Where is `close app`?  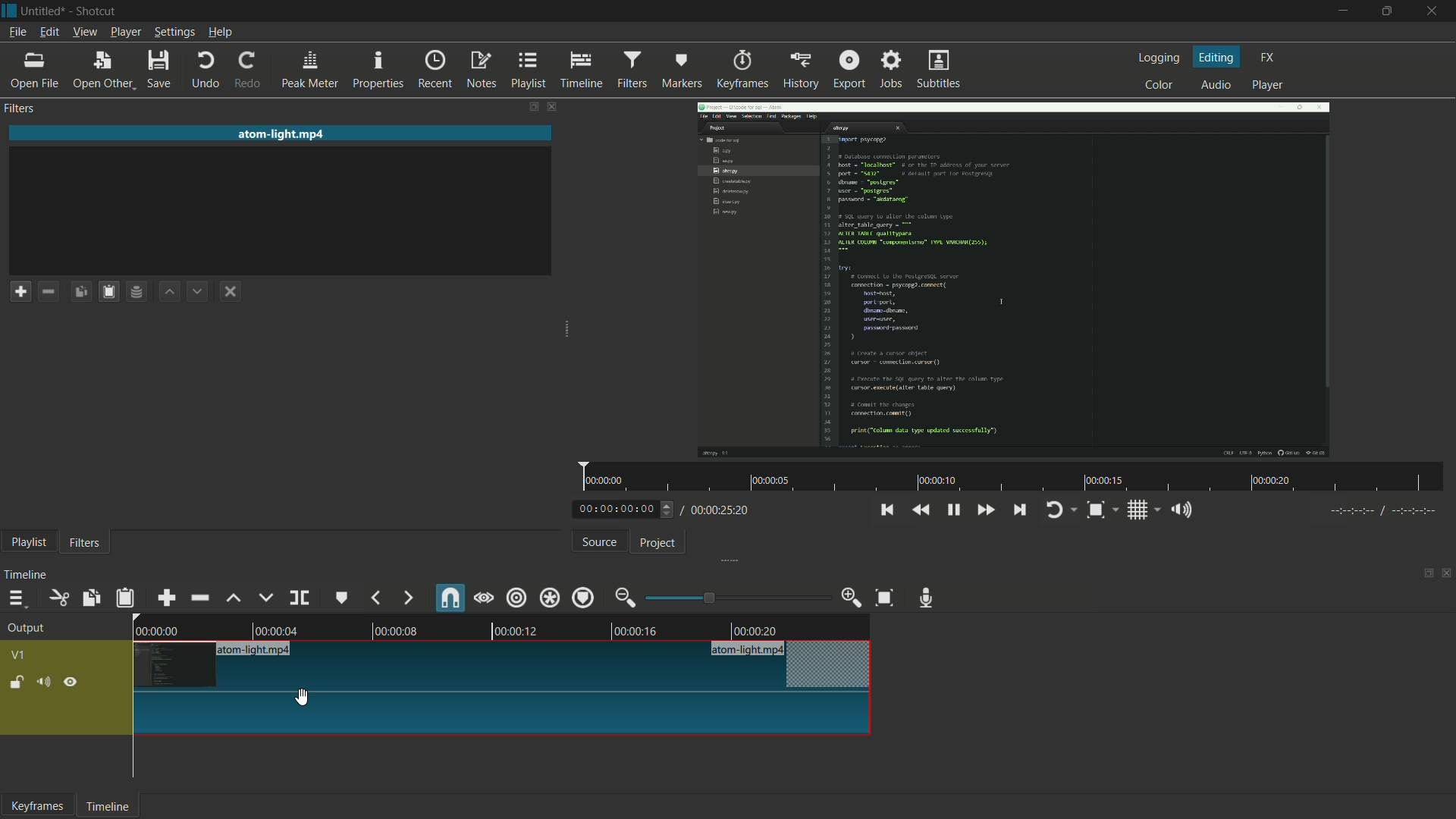 close app is located at coordinates (1436, 10).